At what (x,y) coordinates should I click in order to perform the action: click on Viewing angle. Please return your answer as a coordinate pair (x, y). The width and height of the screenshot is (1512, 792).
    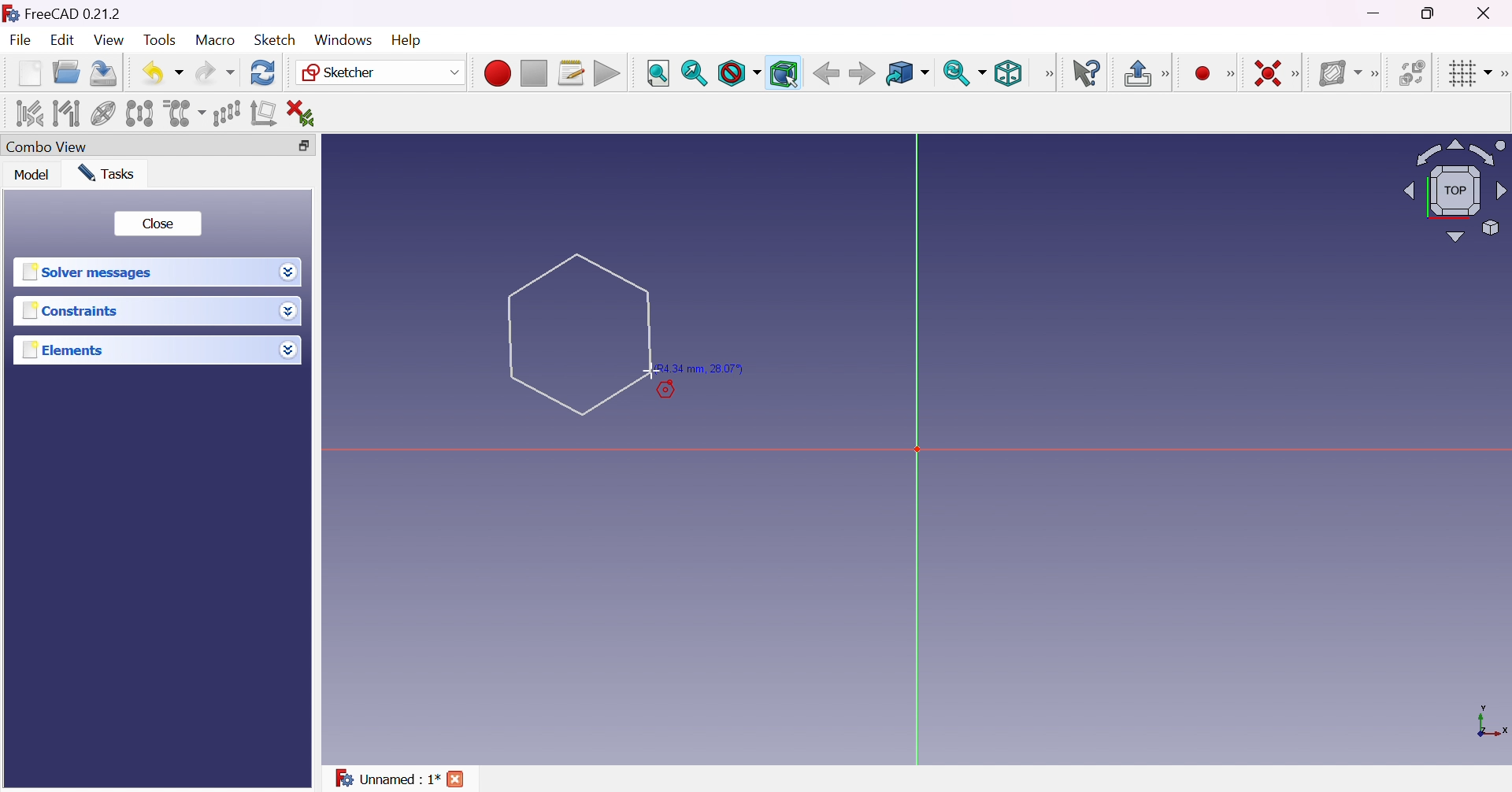
    Looking at the image, I should click on (1454, 189).